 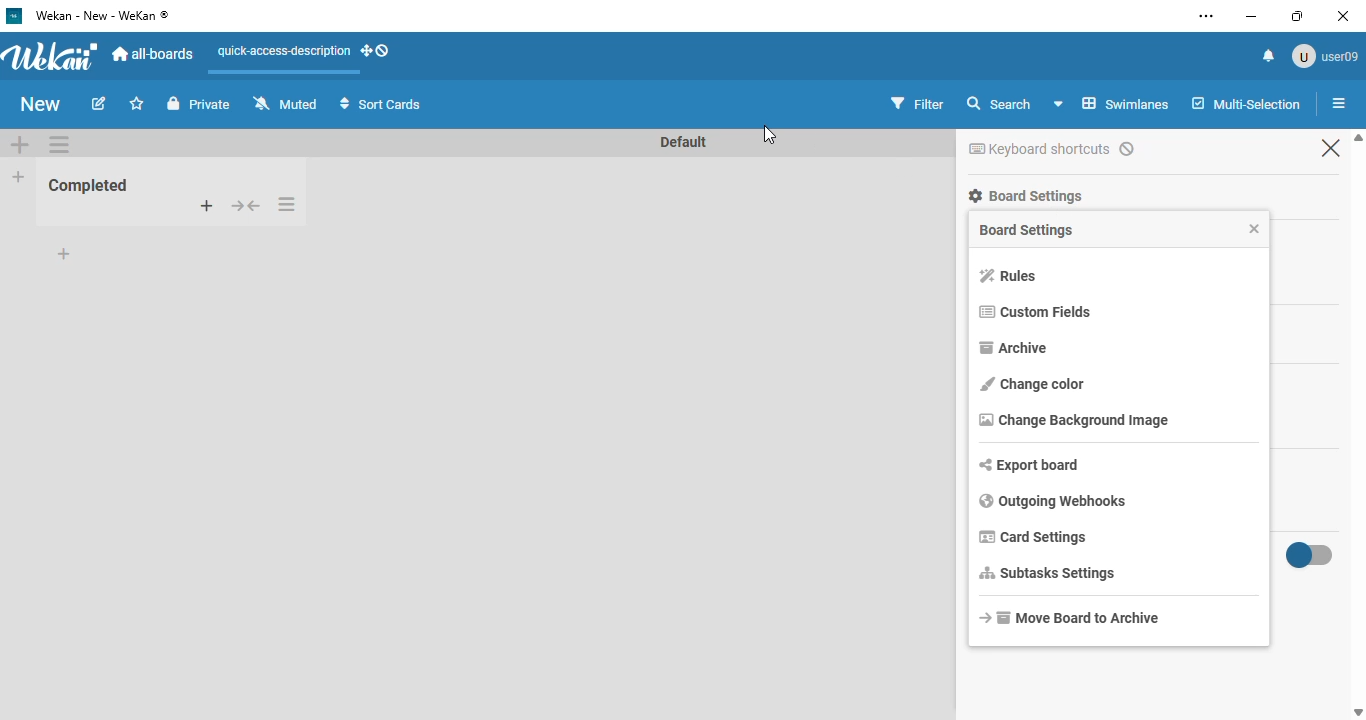 I want to click on edit, so click(x=99, y=103).